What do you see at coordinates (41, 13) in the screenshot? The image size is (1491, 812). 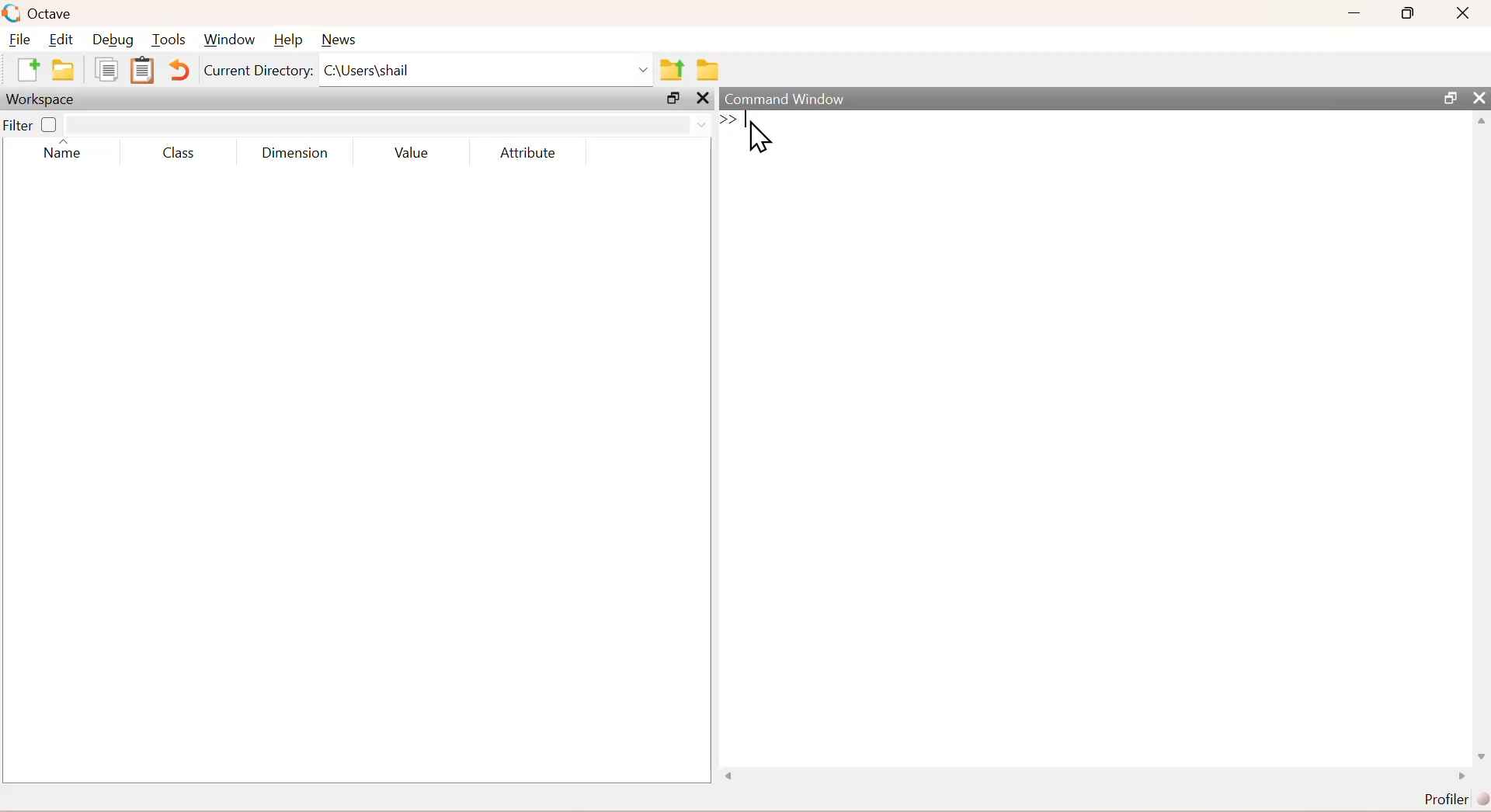 I see `Octave` at bounding box center [41, 13].